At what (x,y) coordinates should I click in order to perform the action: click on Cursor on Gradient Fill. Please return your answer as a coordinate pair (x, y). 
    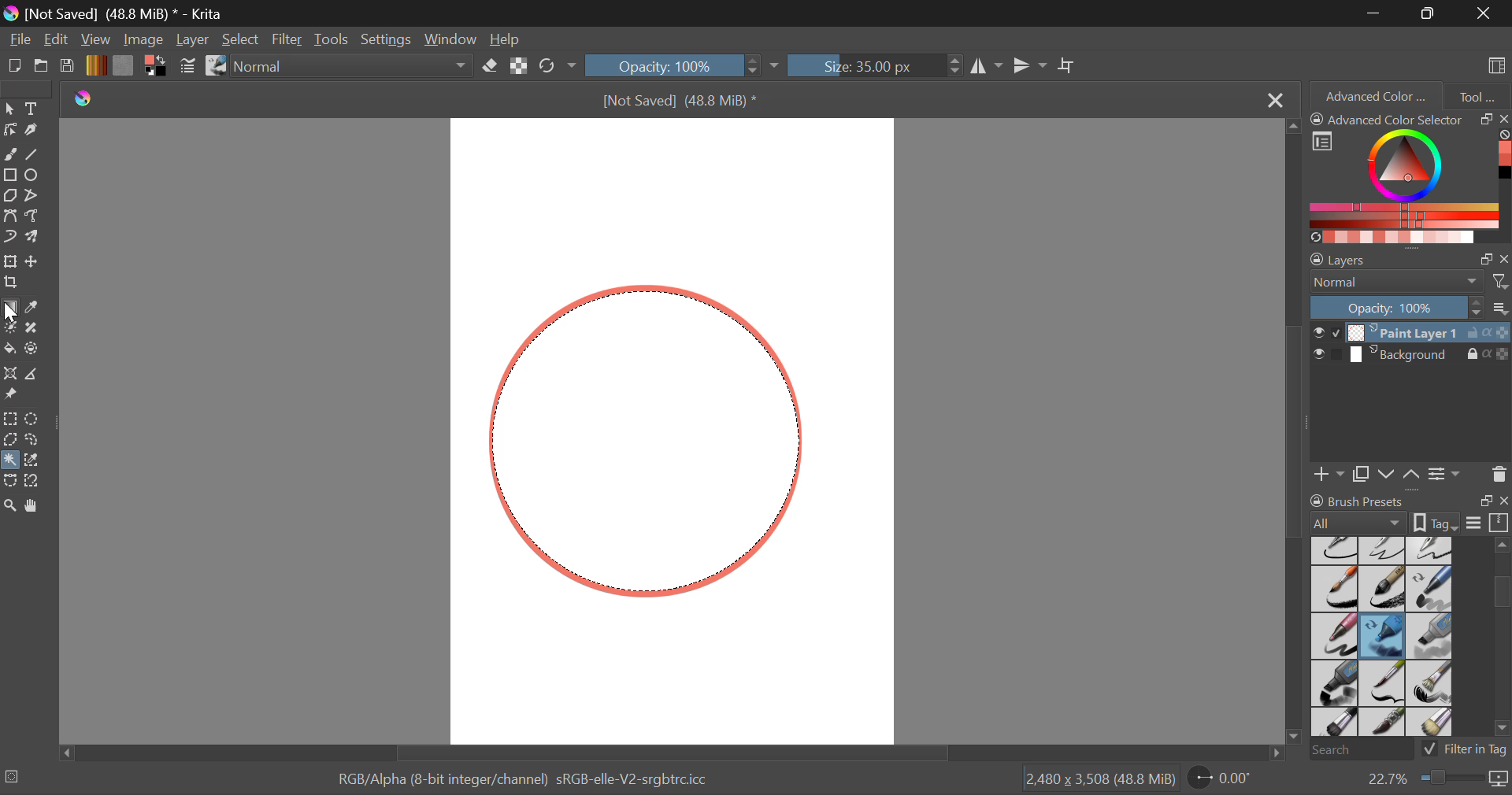
    Looking at the image, I should click on (11, 307).